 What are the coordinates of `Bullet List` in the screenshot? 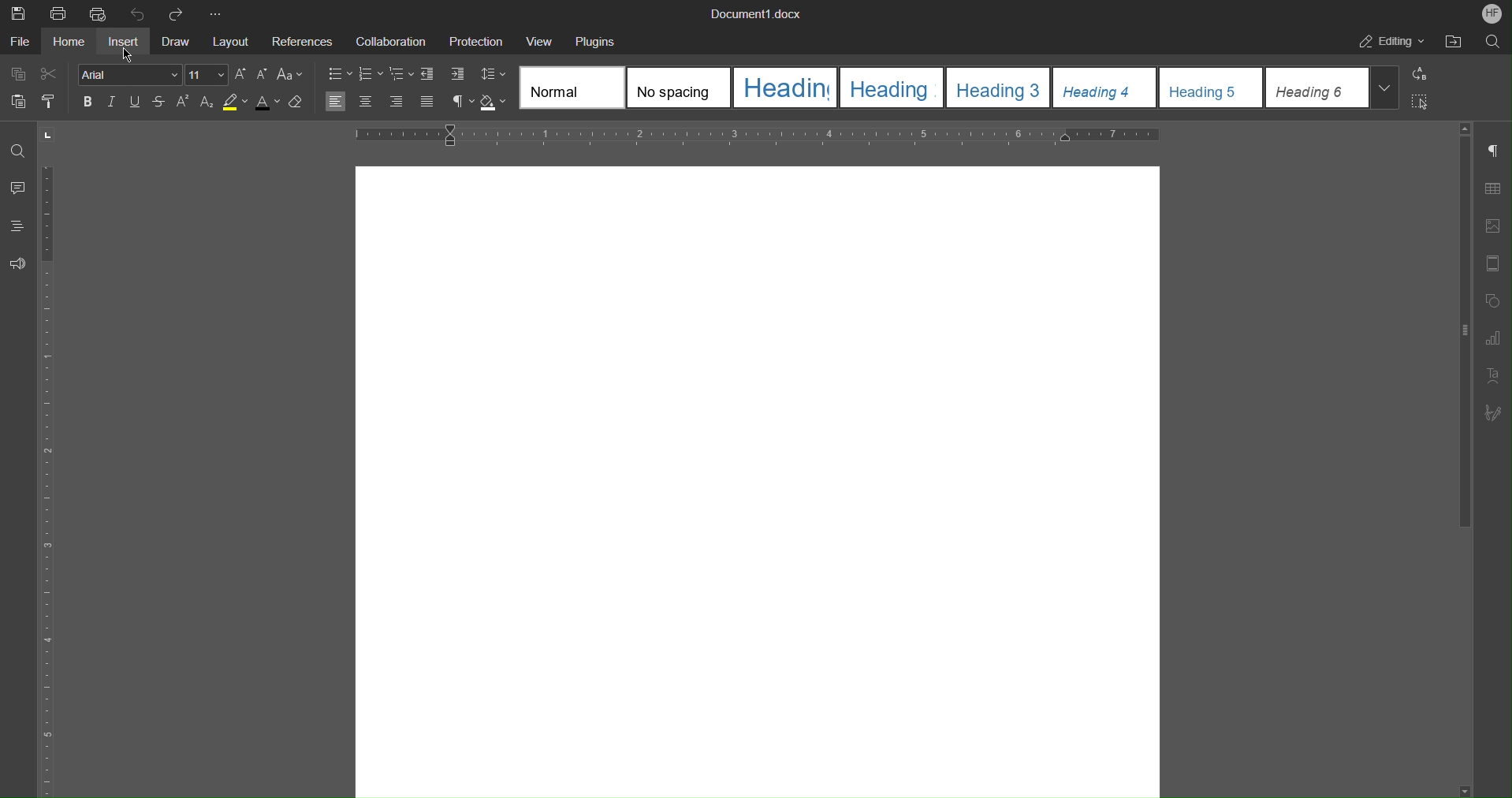 It's located at (339, 76).